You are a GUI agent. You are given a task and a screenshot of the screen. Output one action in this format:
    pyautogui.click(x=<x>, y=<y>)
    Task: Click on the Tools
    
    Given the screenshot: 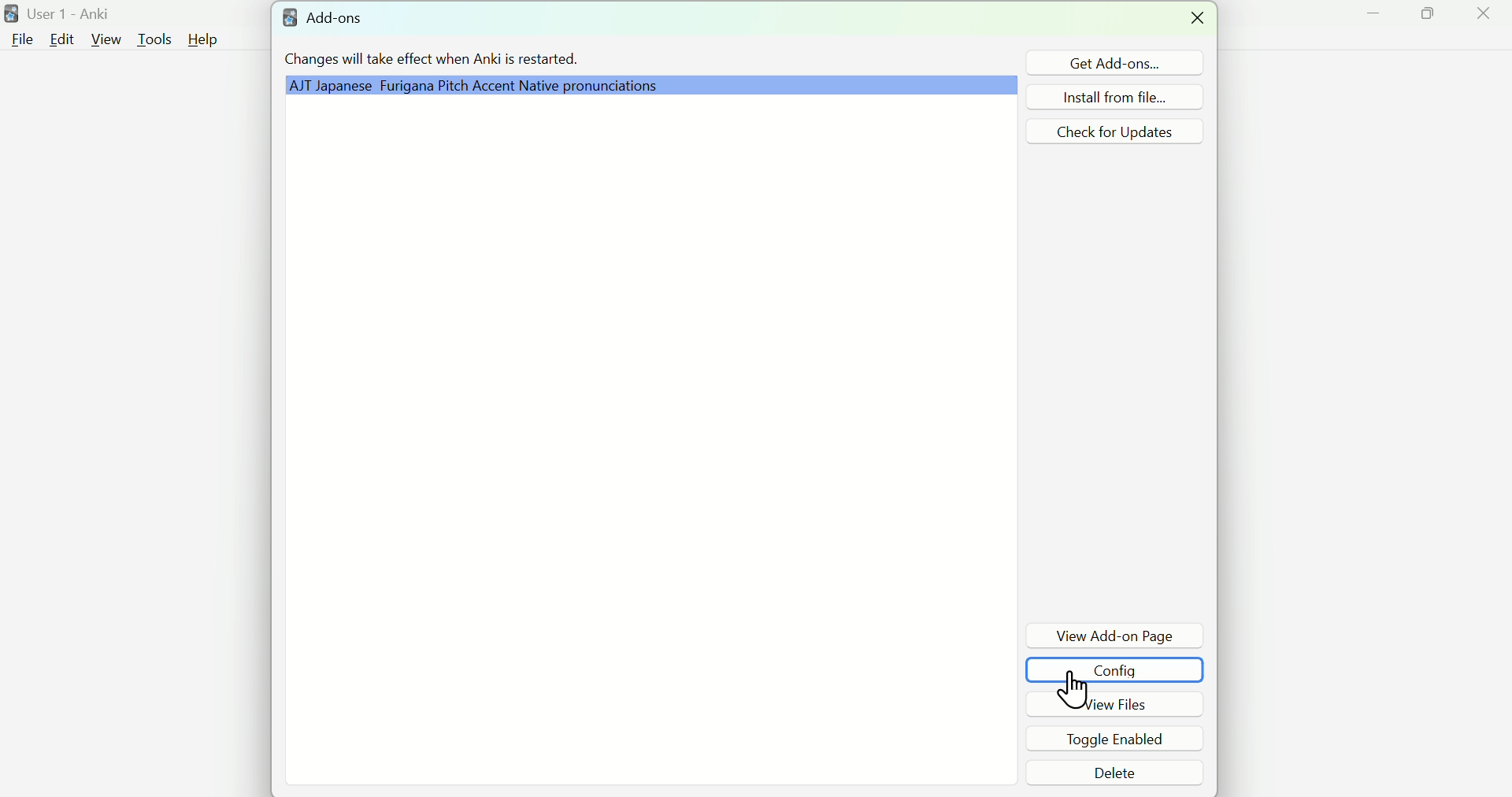 What is the action you would take?
    pyautogui.click(x=154, y=40)
    